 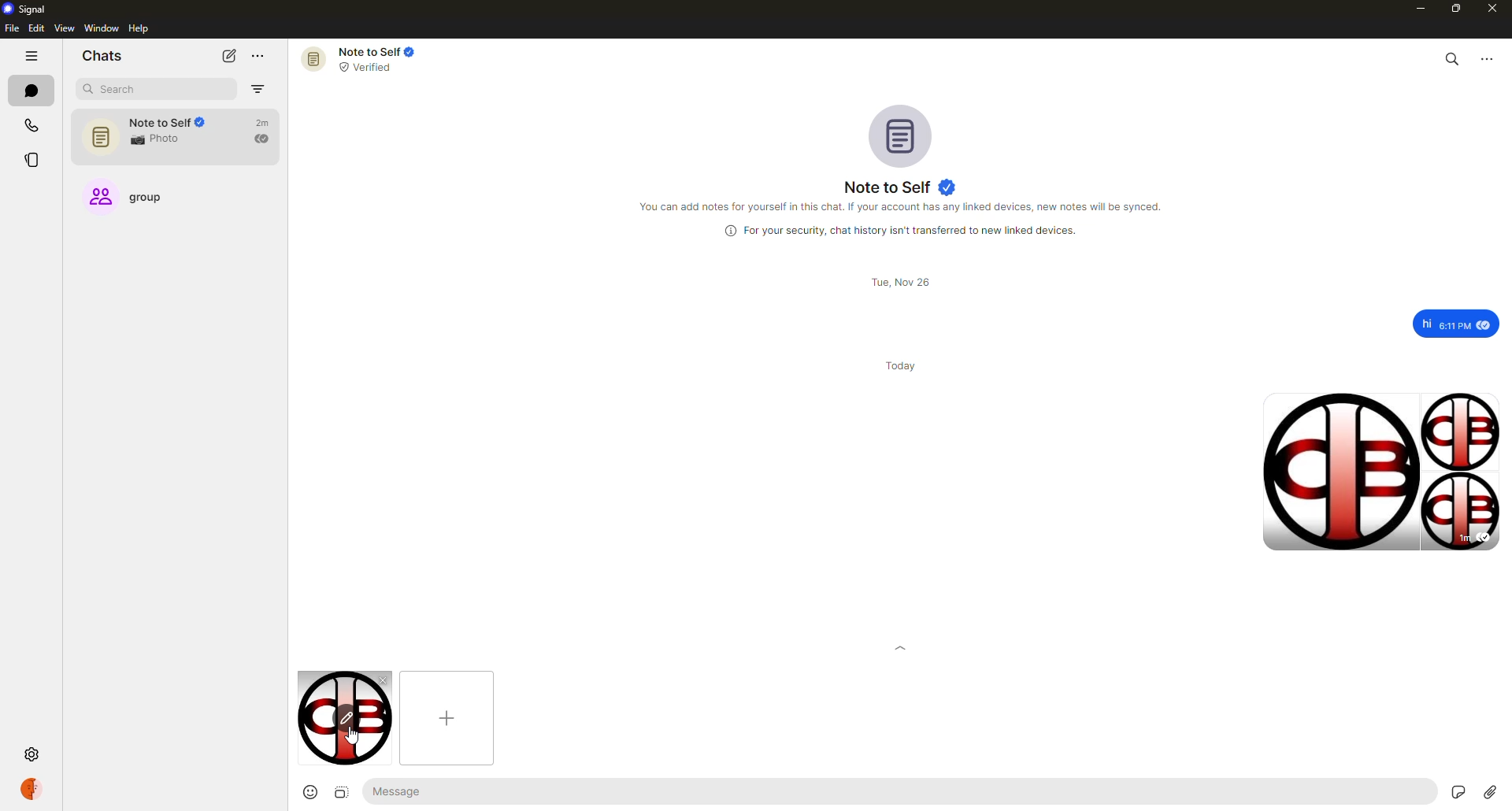 I want to click on hide tabs, so click(x=32, y=57).